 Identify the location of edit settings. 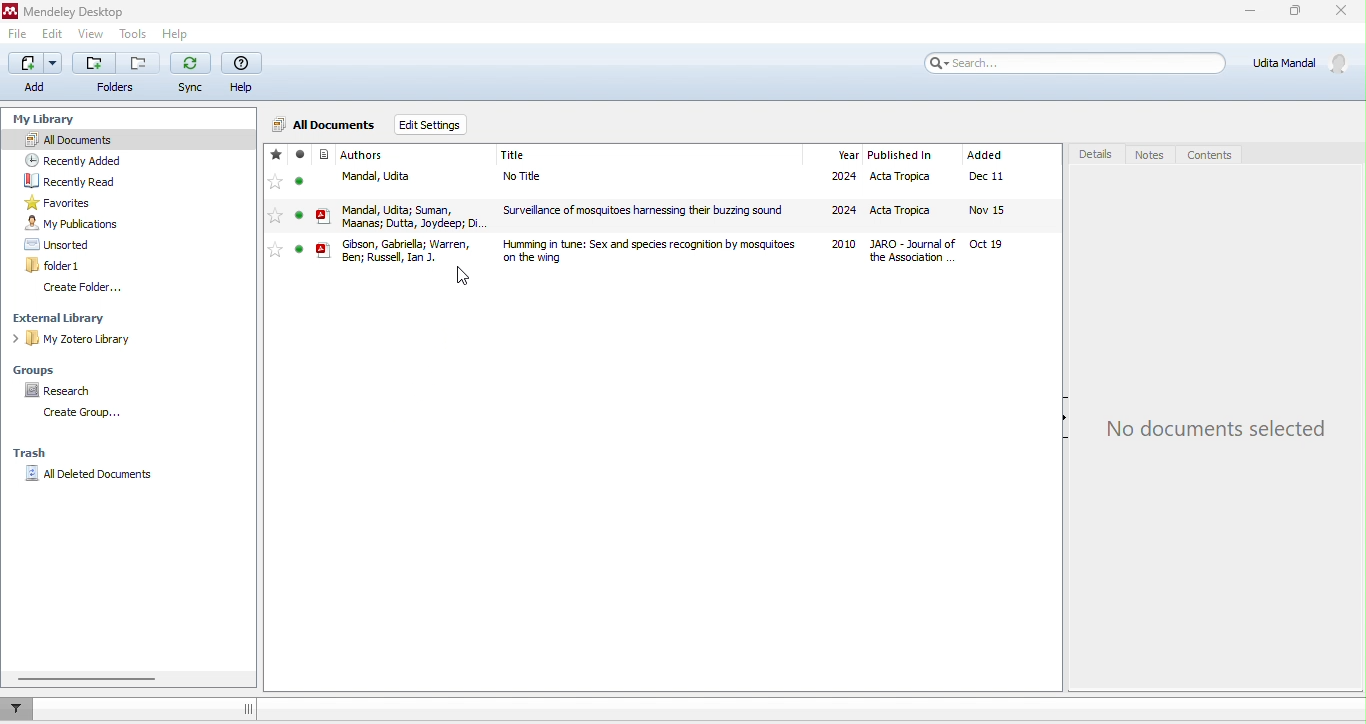
(430, 125).